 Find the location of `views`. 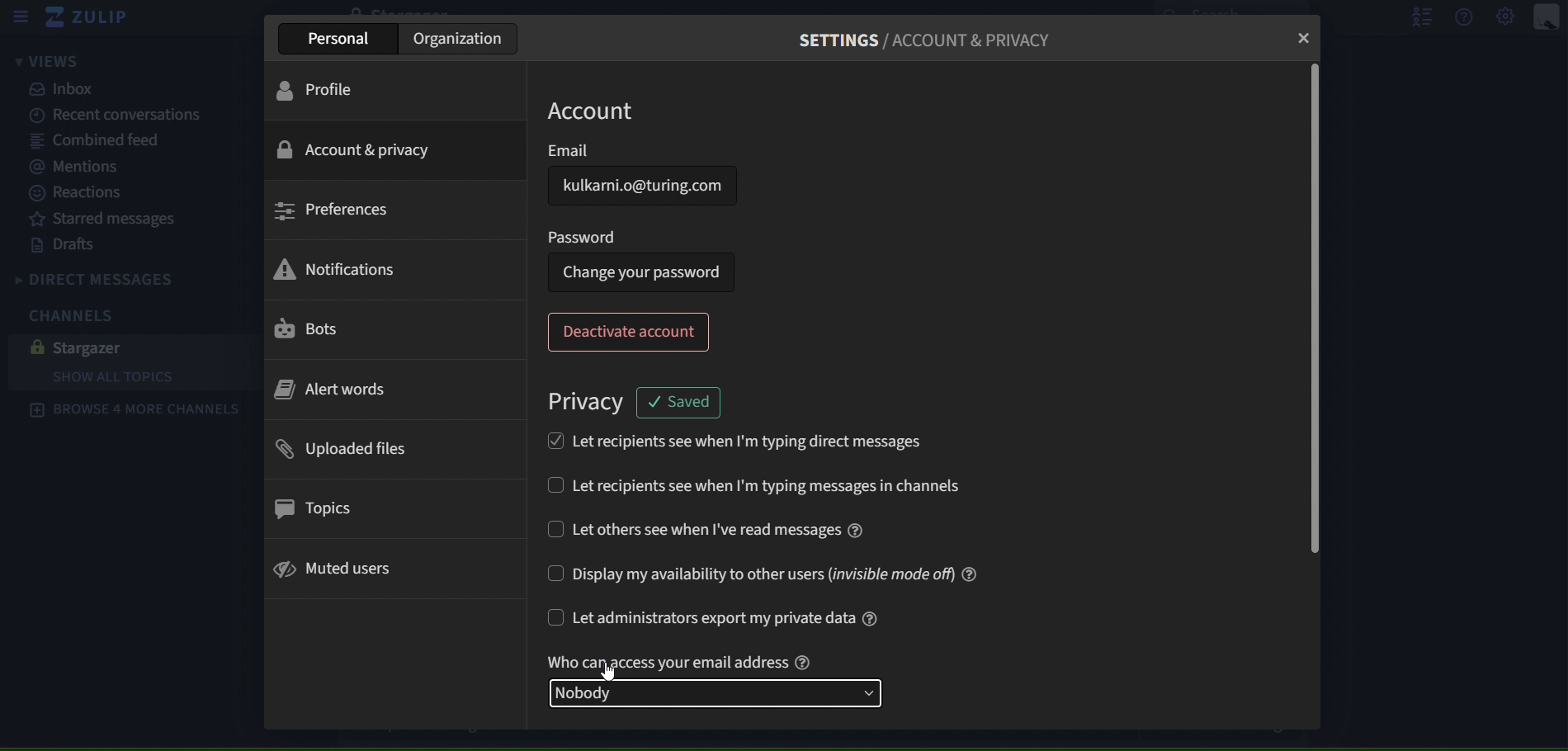

views is located at coordinates (44, 63).